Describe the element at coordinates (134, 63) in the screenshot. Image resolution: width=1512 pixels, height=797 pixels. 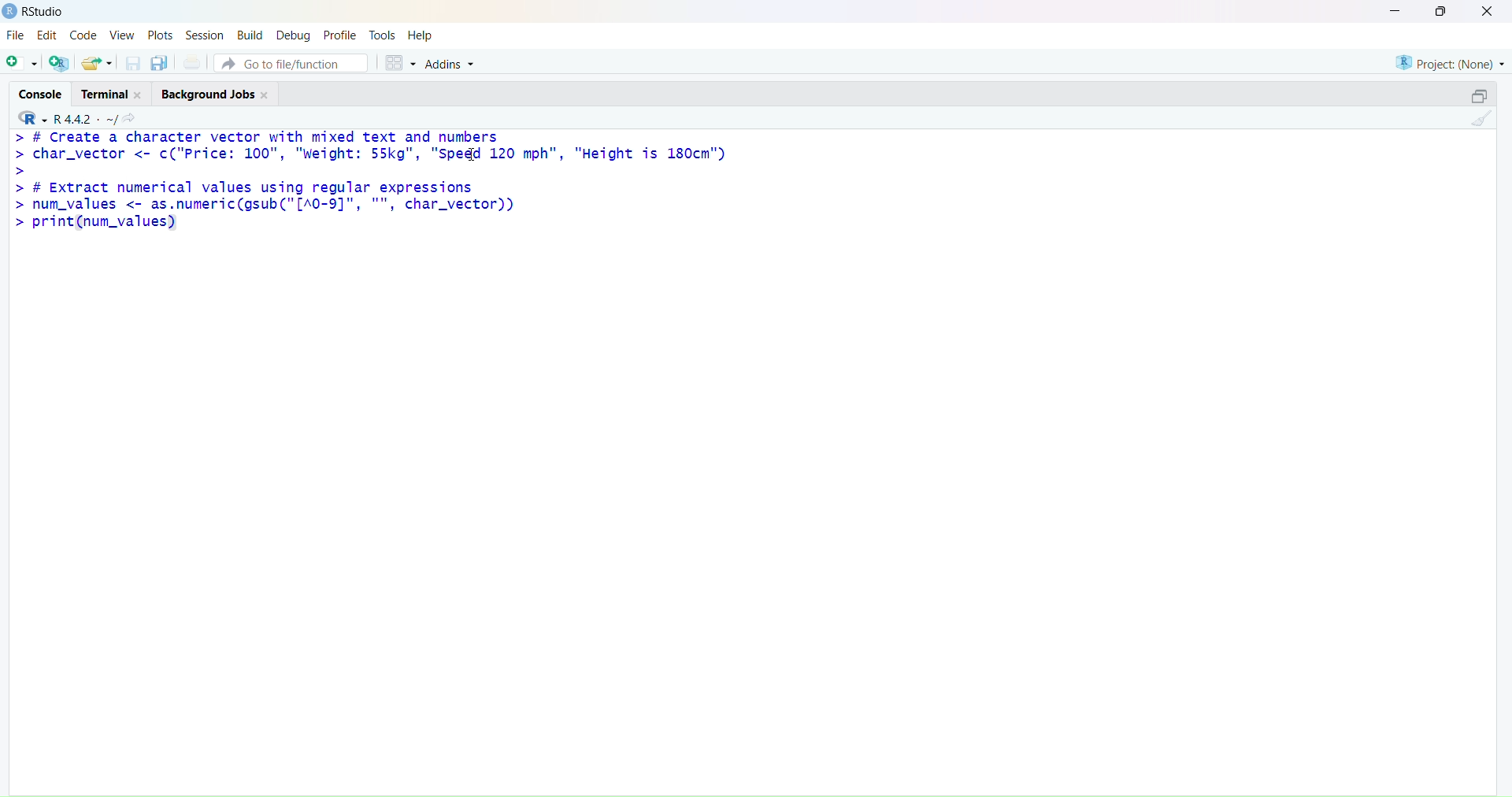
I see `Save ` at that location.